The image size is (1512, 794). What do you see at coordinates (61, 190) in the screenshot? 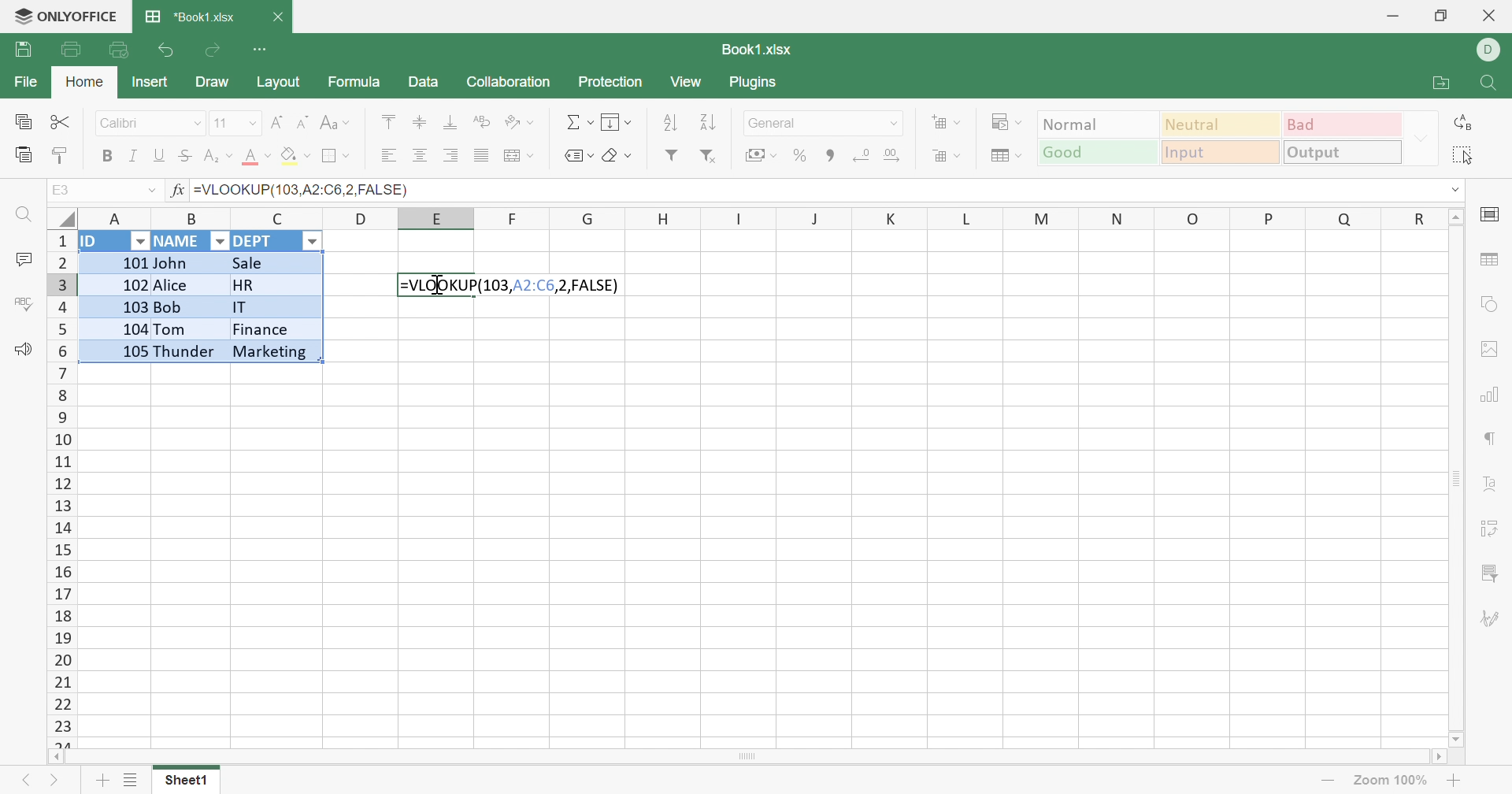
I see `A1` at bounding box center [61, 190].